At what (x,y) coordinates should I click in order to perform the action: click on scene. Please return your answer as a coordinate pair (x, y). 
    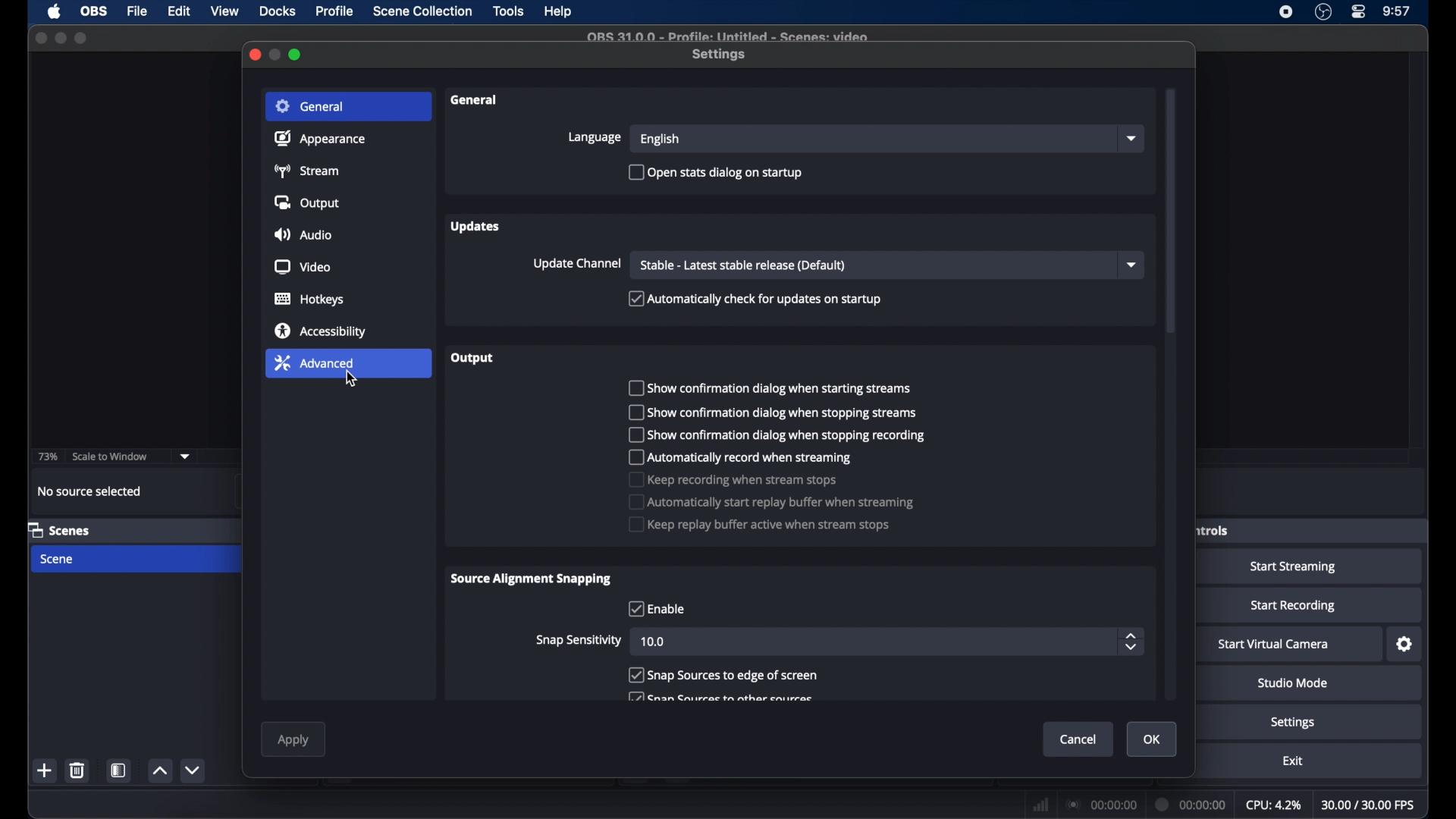
    Looking at the image, I should click on (55, 559).